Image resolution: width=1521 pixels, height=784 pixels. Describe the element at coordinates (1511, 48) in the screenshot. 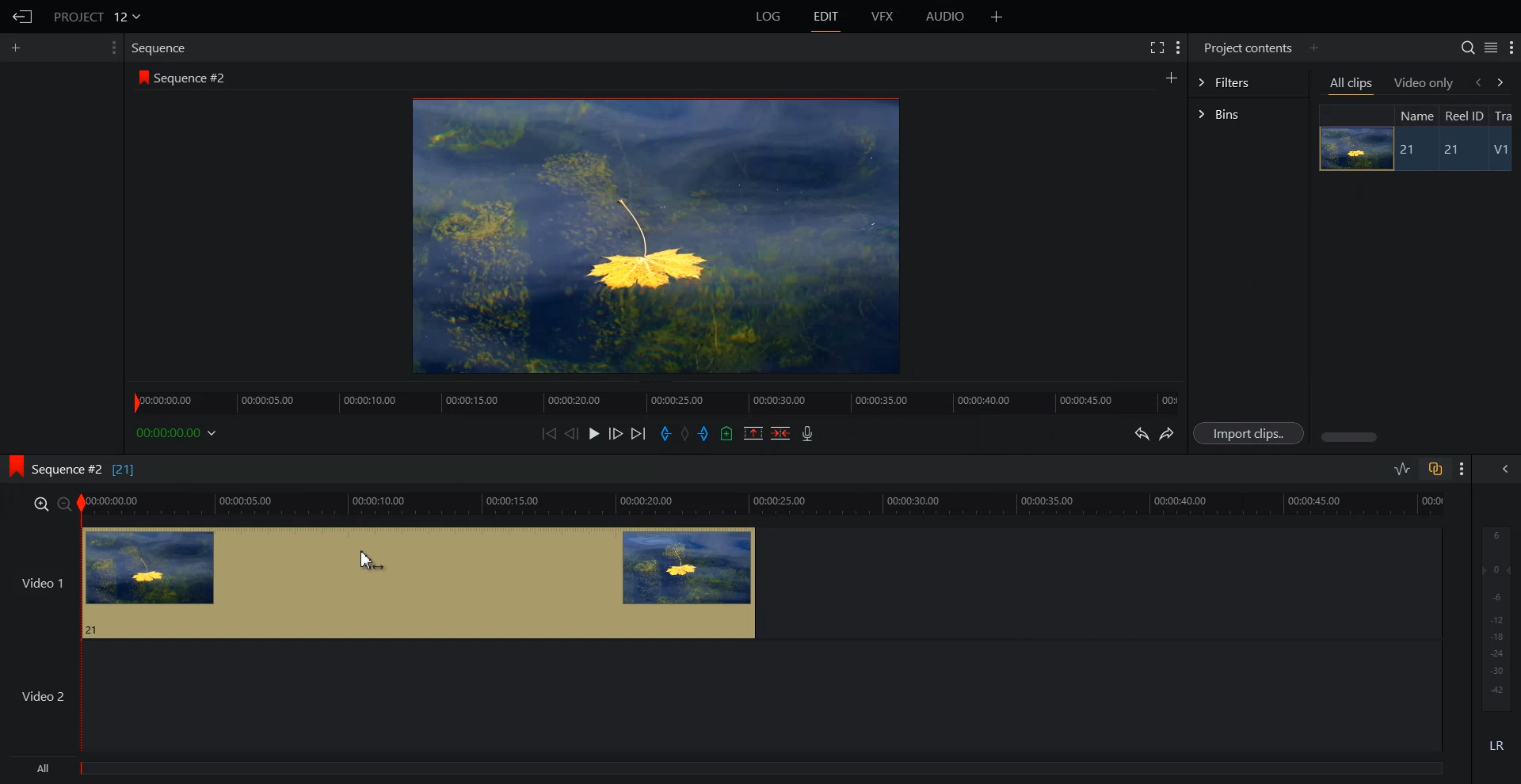

I see `Show setting menu` at that location.